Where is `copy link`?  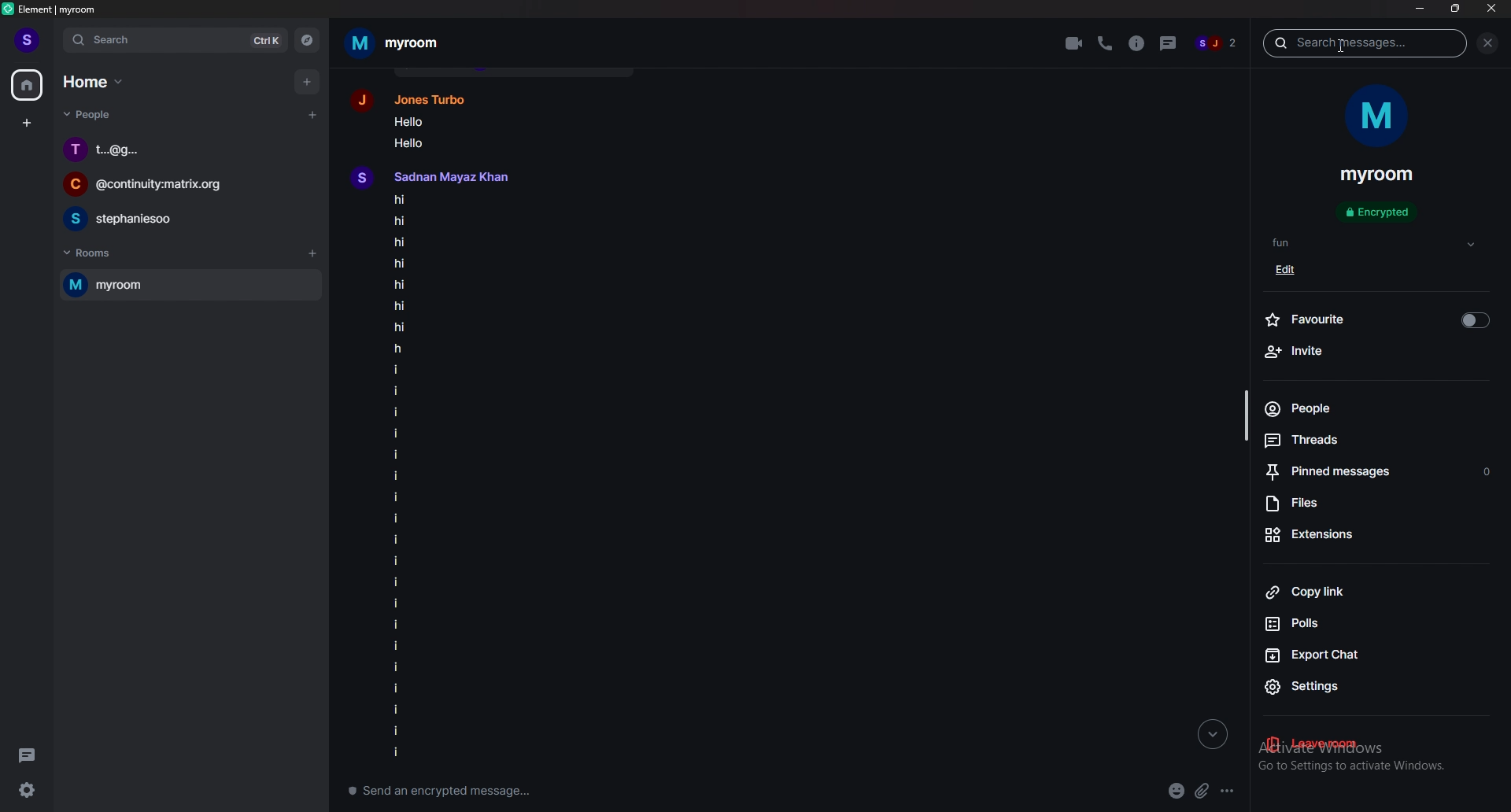
copy link is located at coordinates (1345, 591).